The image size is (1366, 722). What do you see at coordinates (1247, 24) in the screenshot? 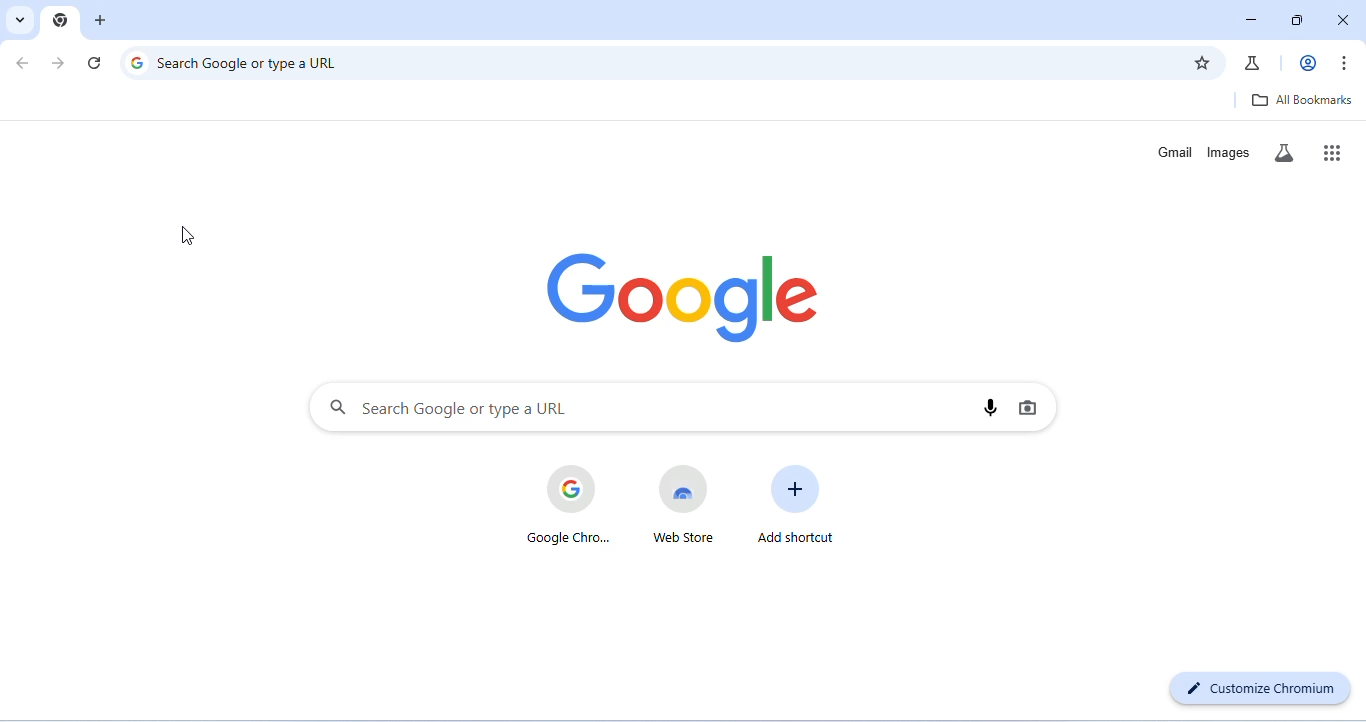
I see `minimize` at bounding box center [1247, 24].